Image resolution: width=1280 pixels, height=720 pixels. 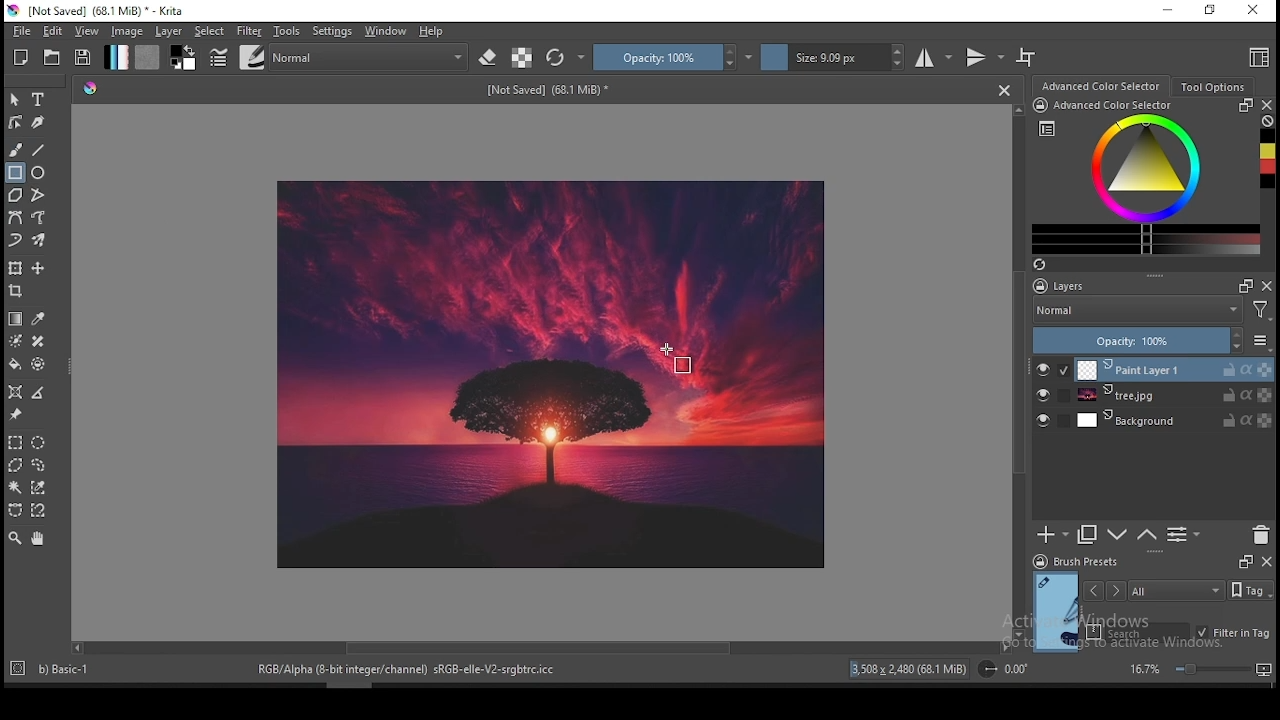 I want to click on blending mode, so click(x=1155, y=310).